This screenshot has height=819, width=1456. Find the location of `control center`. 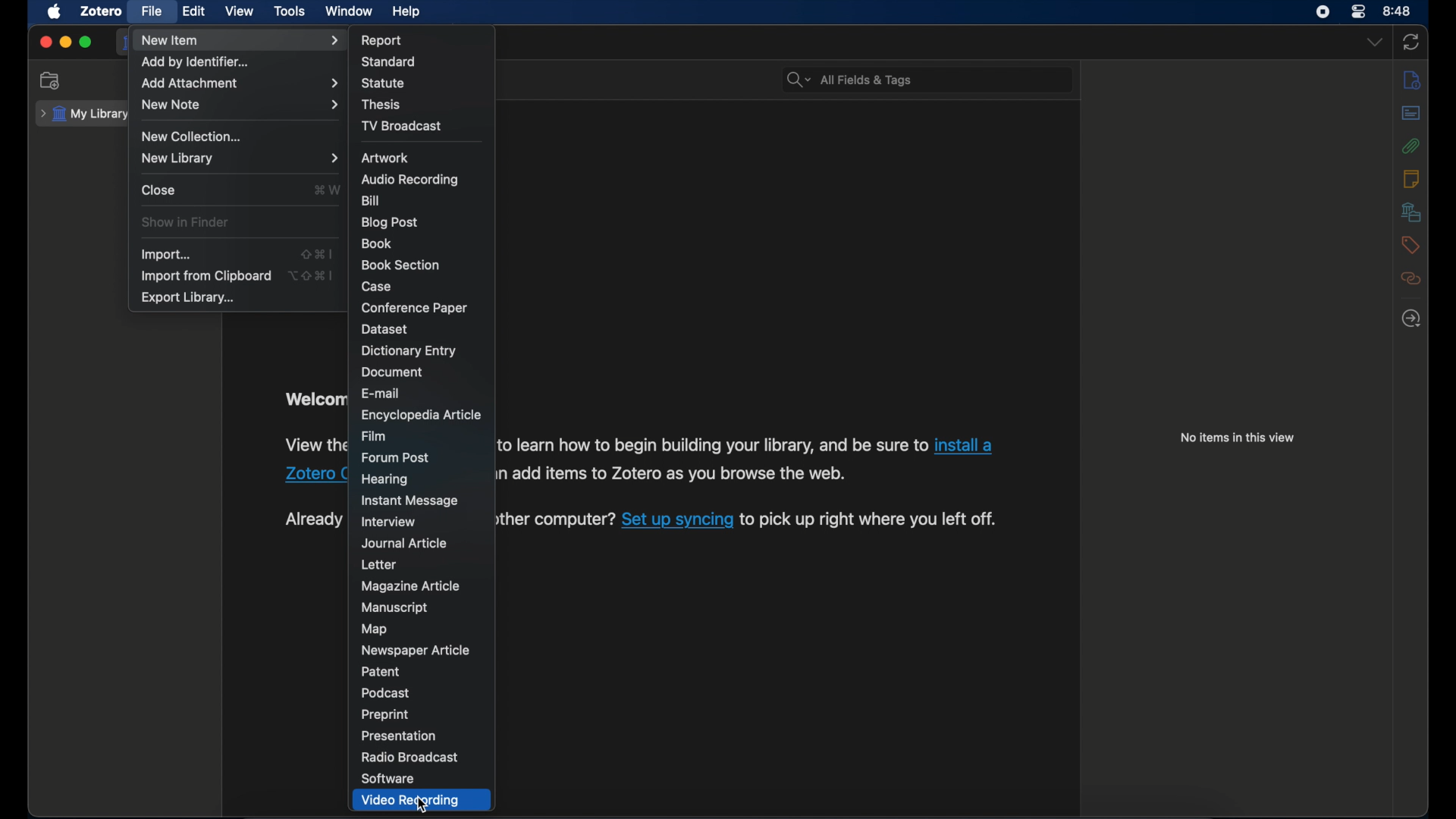

control center is located at coordinates (1359, 12).